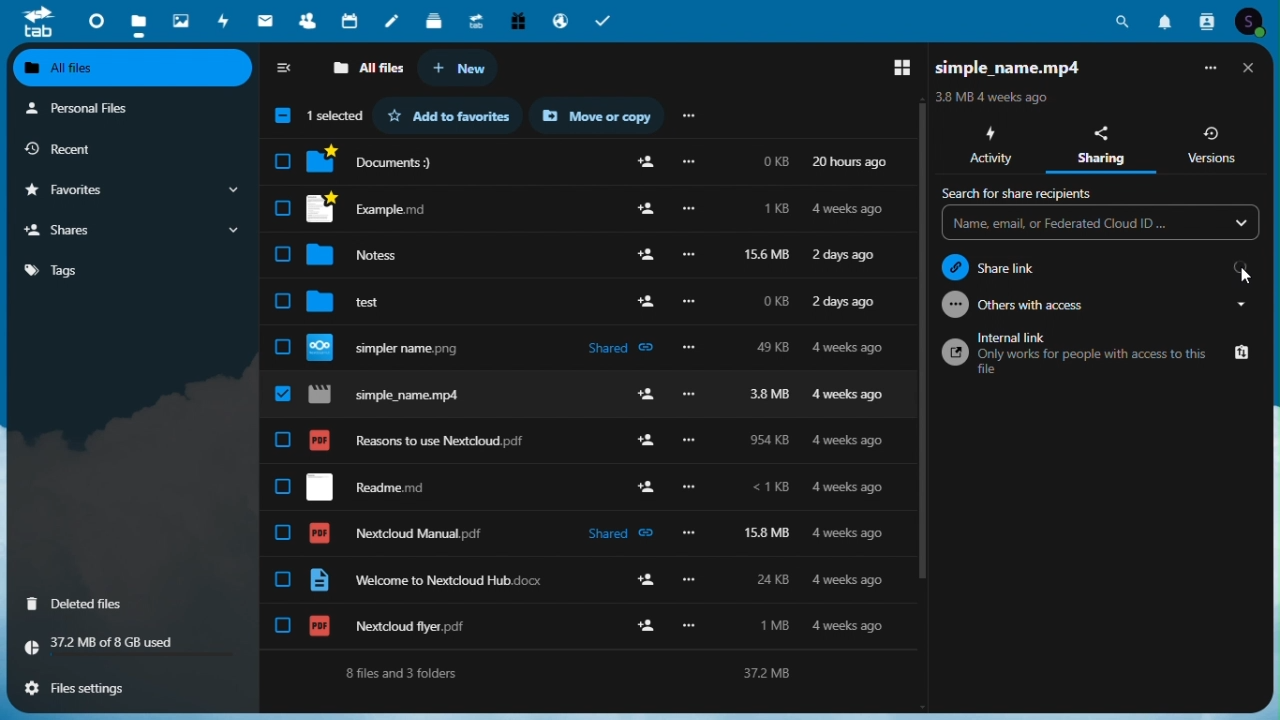 This screenshot has height=720, width=1280. What do you see at coordinates (1272, 371) in the screenshot?
I see `Vertical scroll bar` at bounding box center [1272, 371].